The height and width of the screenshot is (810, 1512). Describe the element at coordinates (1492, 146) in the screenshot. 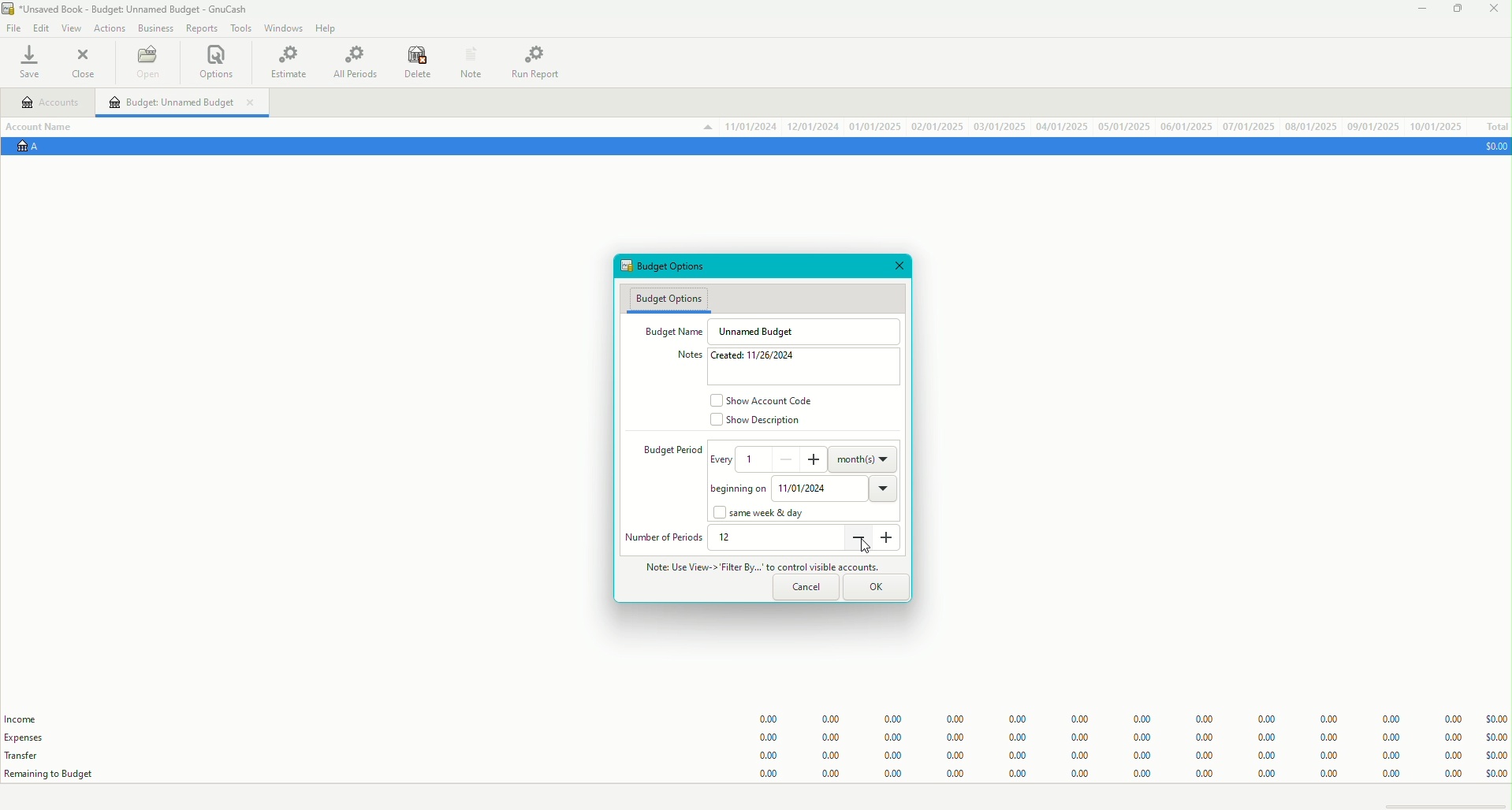

I see `$0` at that location.